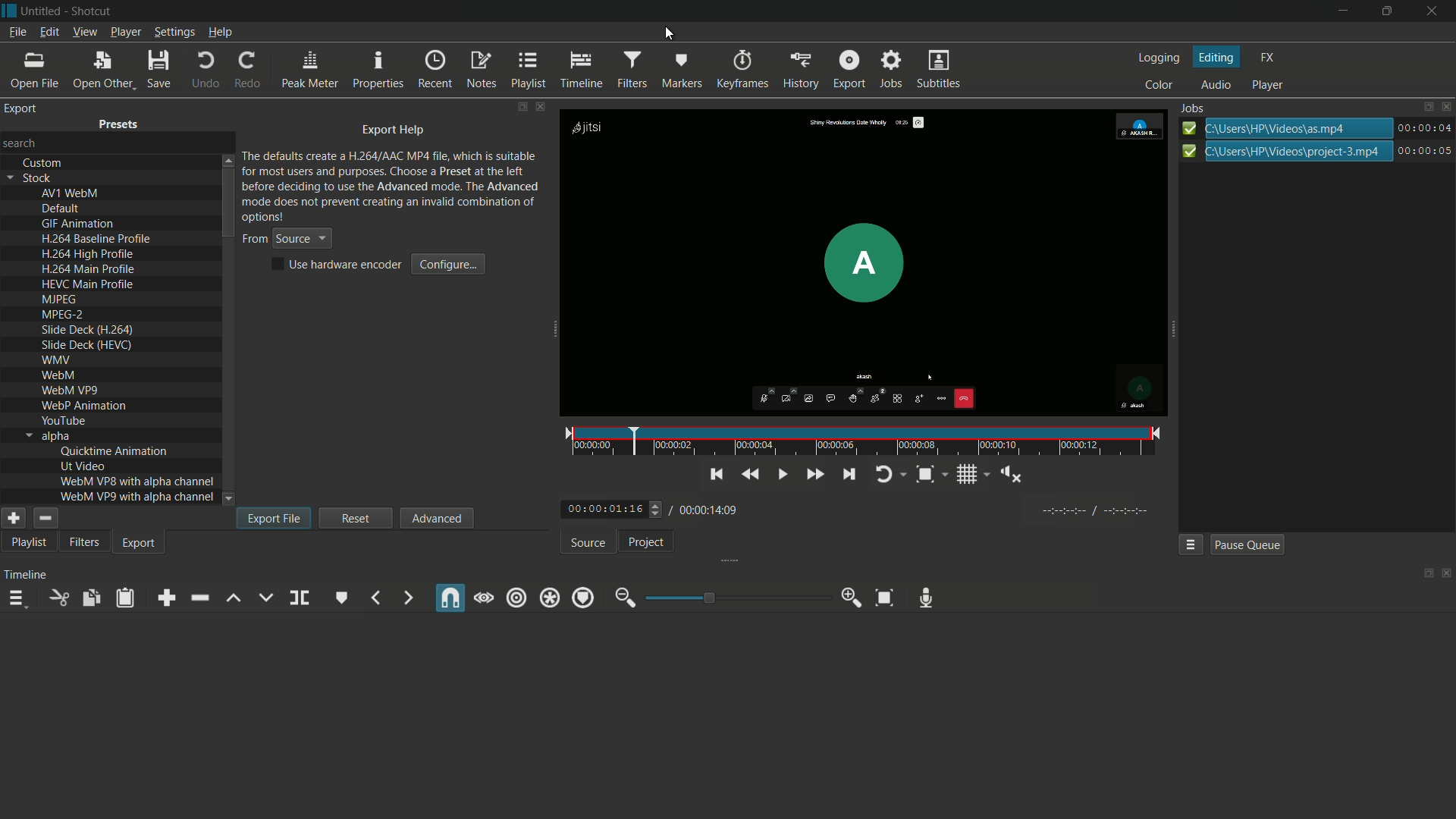 This screenshot has width=1456, height=819. I want to click on toggle zoom, so click(927, 472).